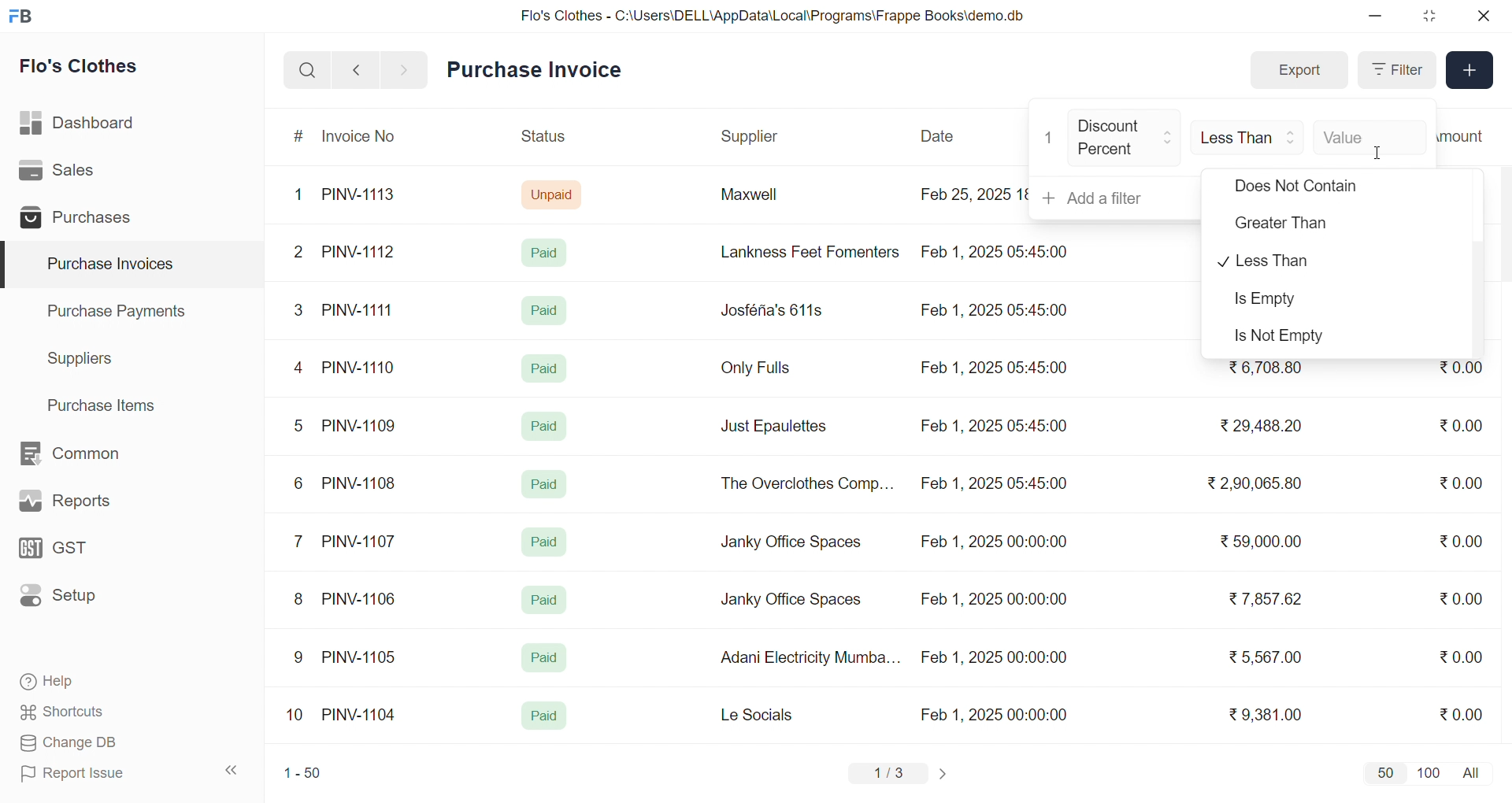 This screenshot has width=1512, height=803. Describe the element at coordinates (996, 714) in the screenshot. I see `Feb 1, 2025 00:00:00` at that location.